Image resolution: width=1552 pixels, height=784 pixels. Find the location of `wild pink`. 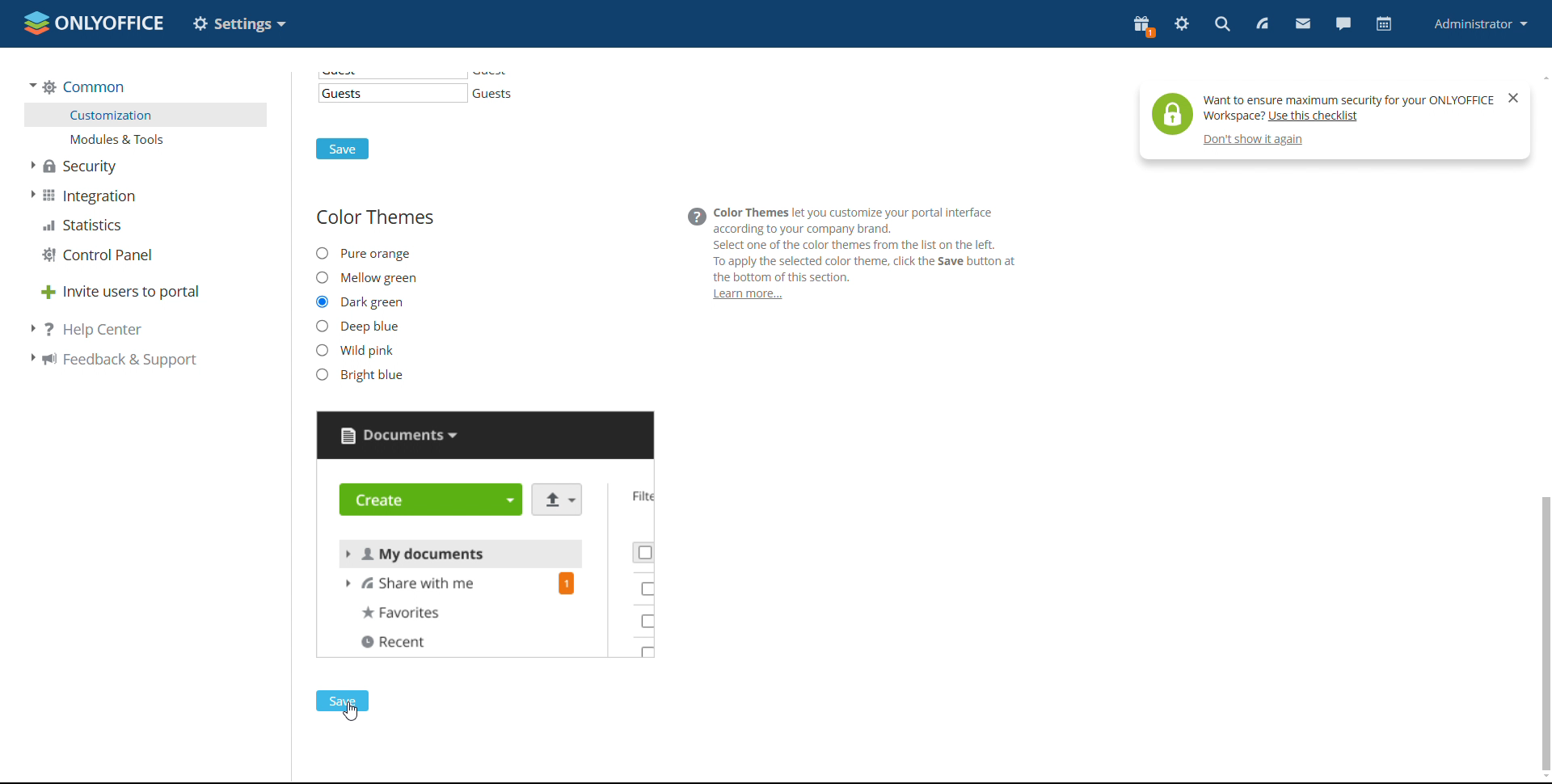

wild pink is located at coordinates (356, 349).